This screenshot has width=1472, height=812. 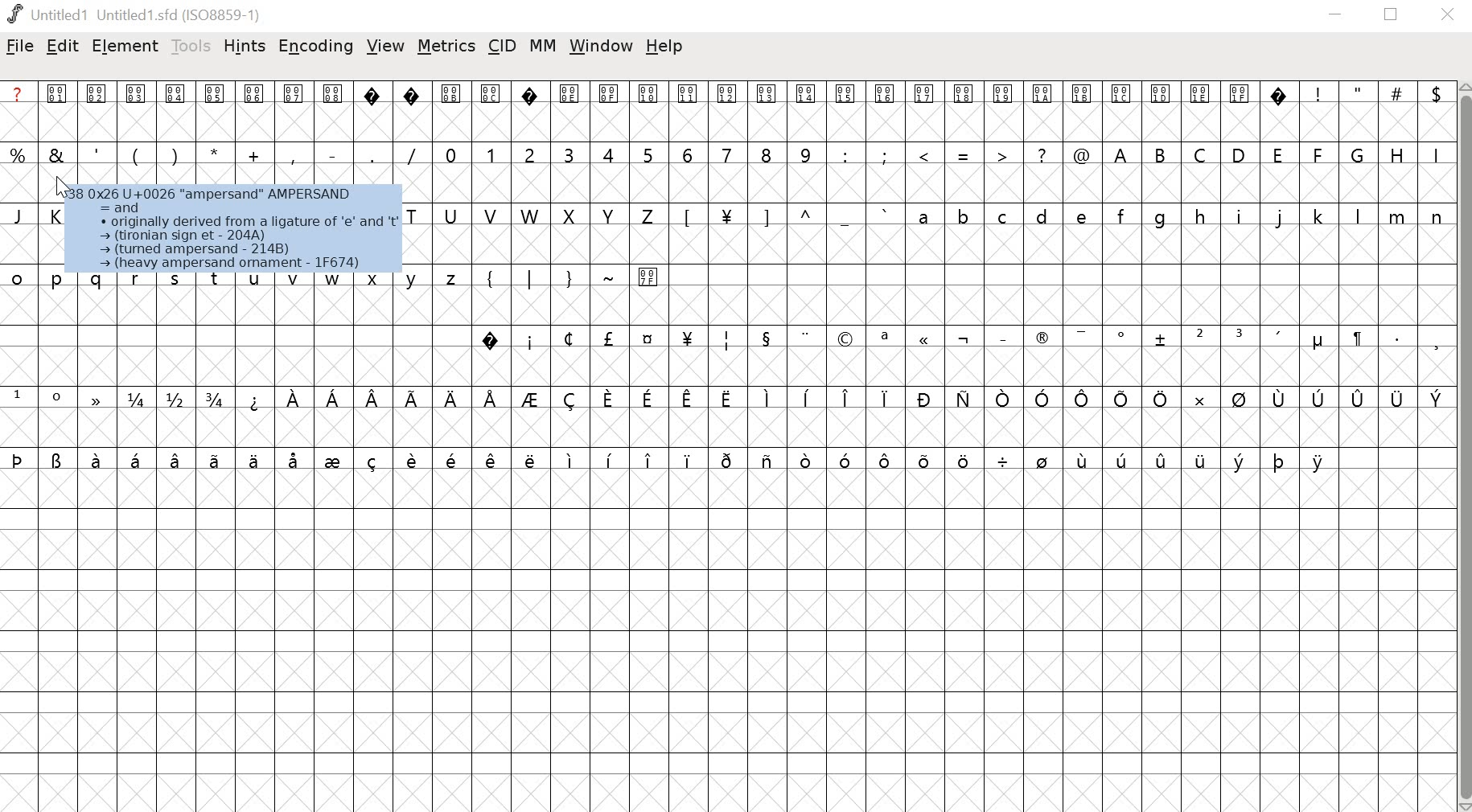 I want to click on symbol, so click(x=1197, y=397).